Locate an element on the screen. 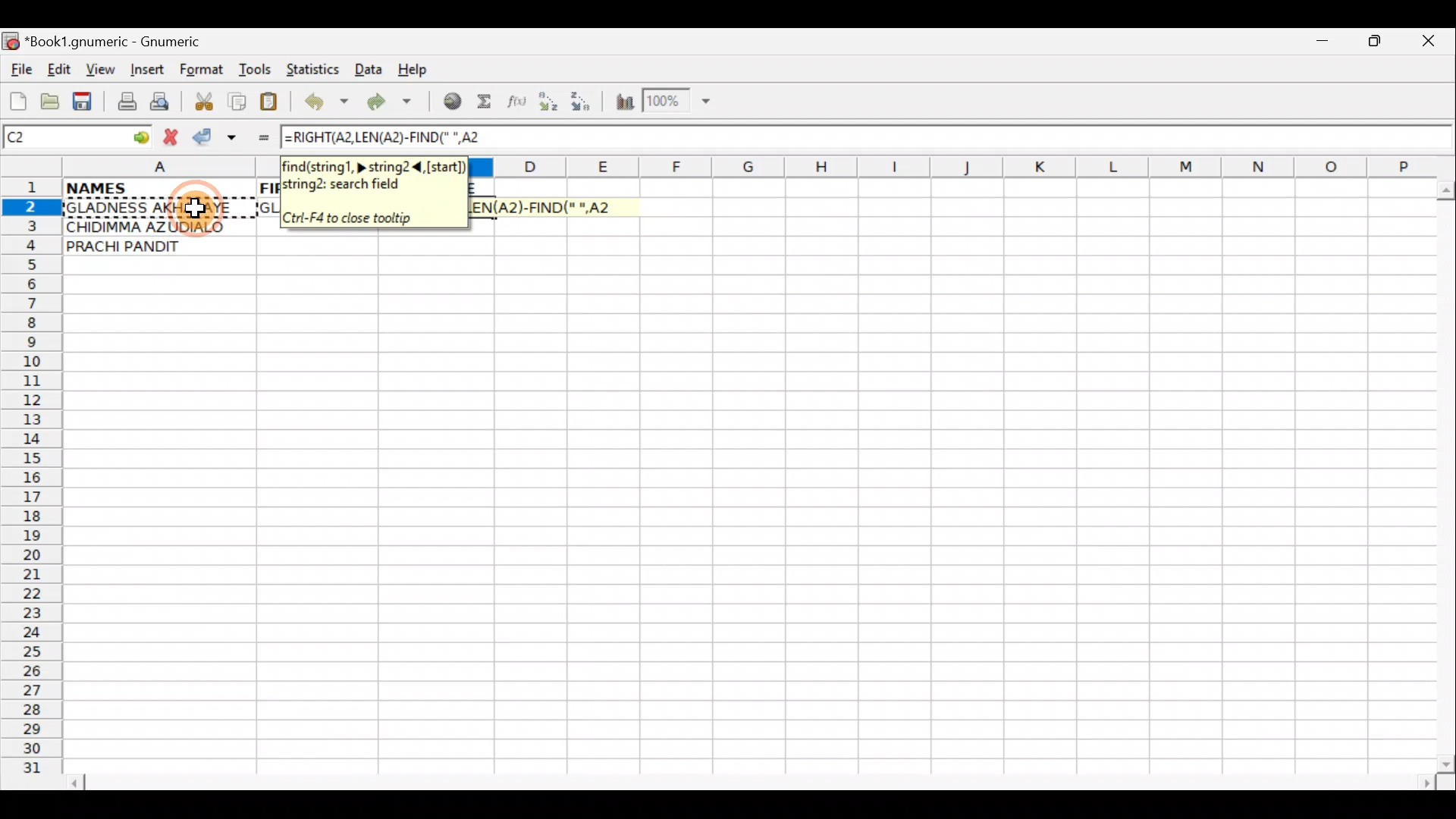  Print file is located at coordinates (123, 103).